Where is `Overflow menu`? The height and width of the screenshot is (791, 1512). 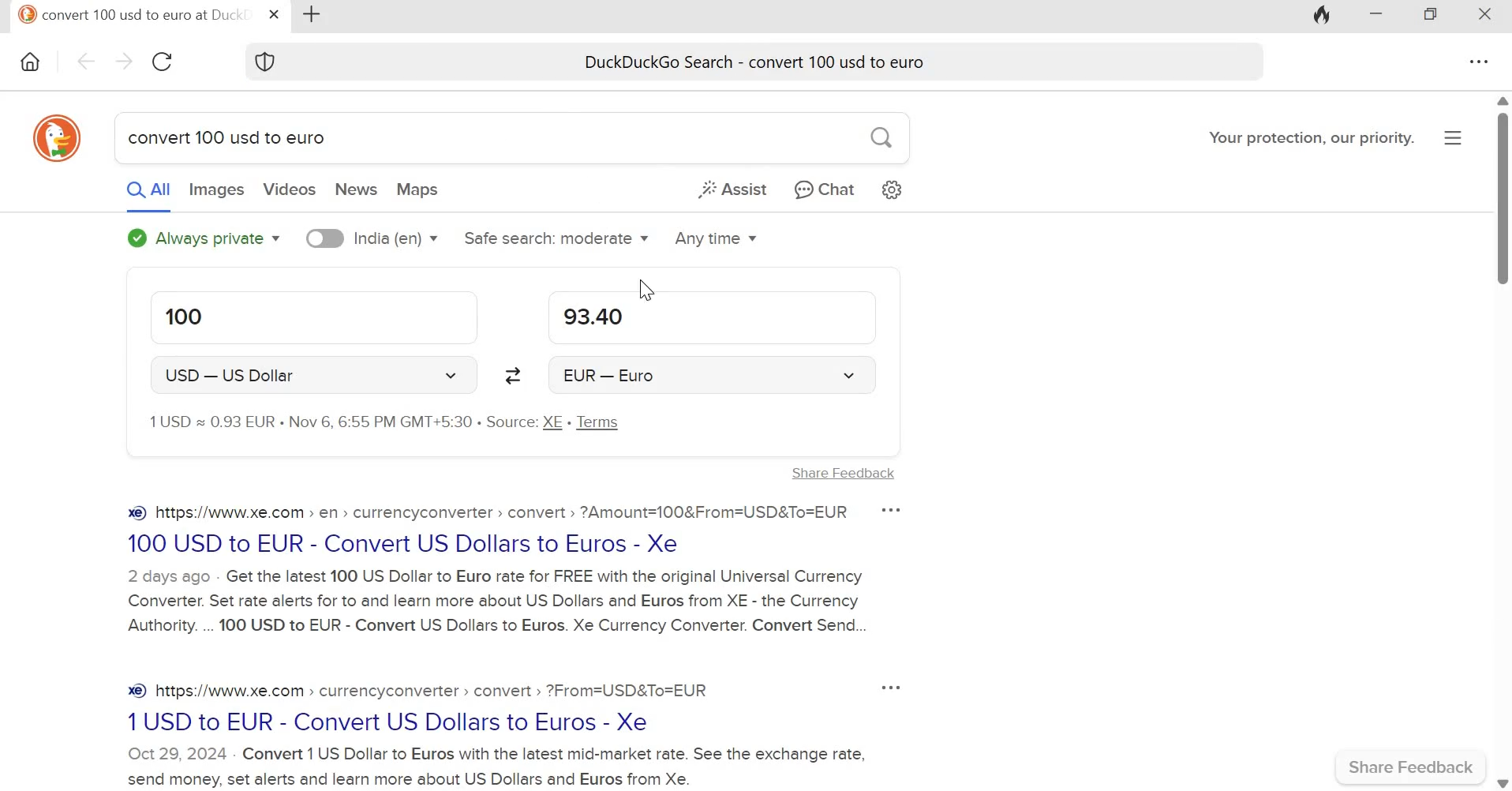
Overflow menu is located at coordinates (1480, 62).